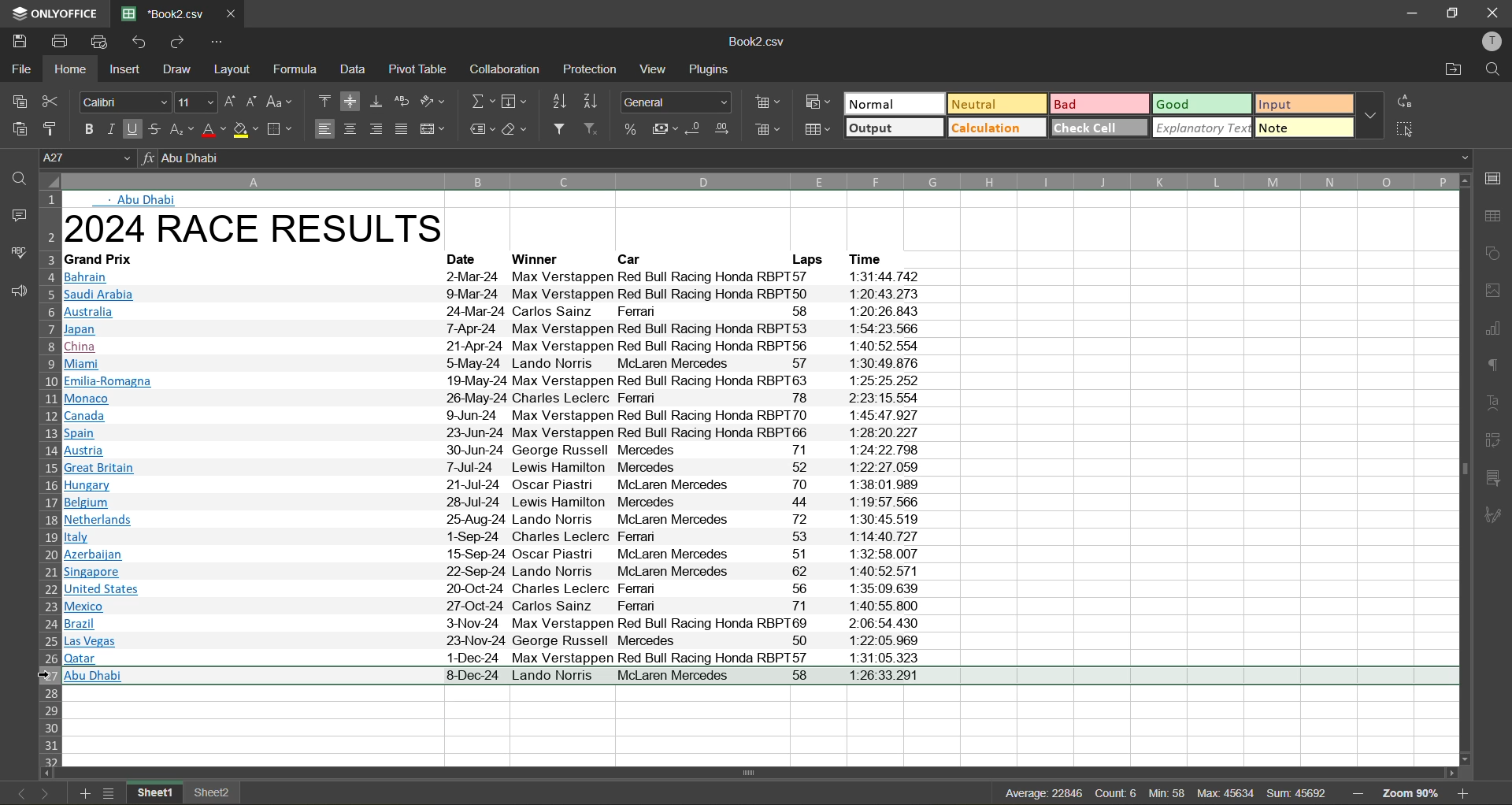 The height and width of the screenshot is (805, 1512). I want to click on align bottom, so click(377, 101).